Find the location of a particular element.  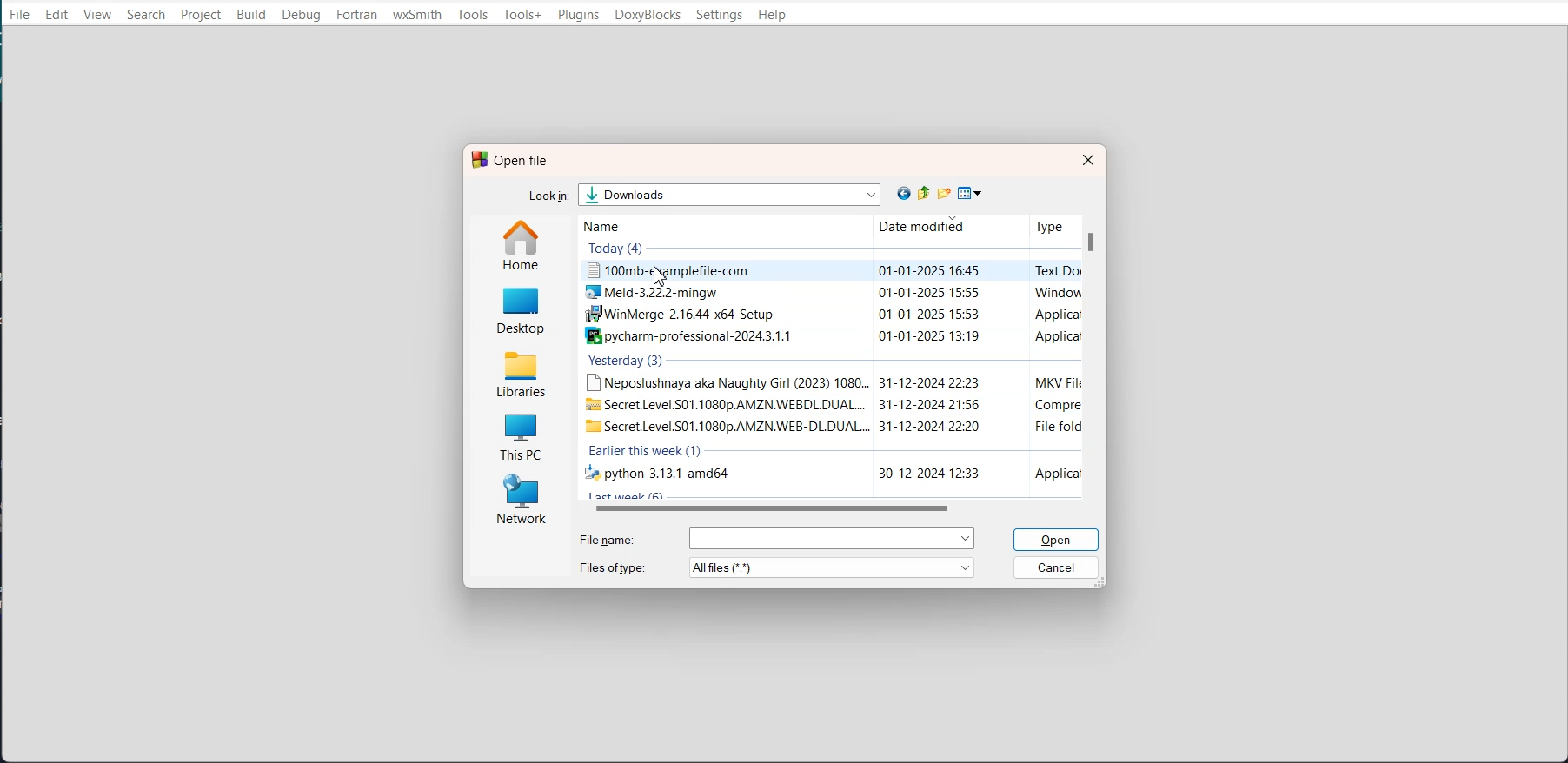

Tools is located at coordinates (473, 15).